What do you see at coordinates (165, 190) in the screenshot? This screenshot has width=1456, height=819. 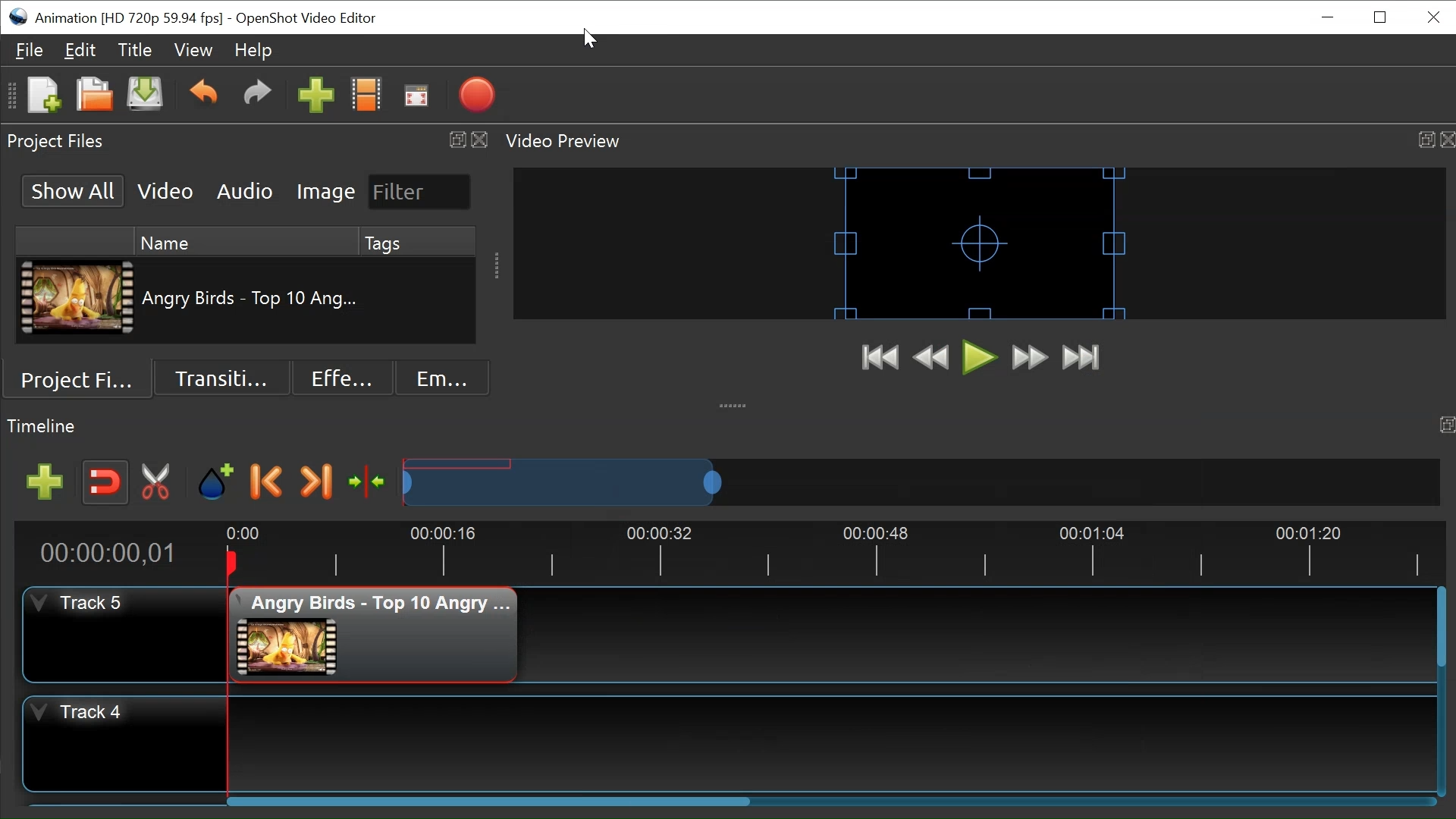 I see `Video` at bounding box center [165, 190].